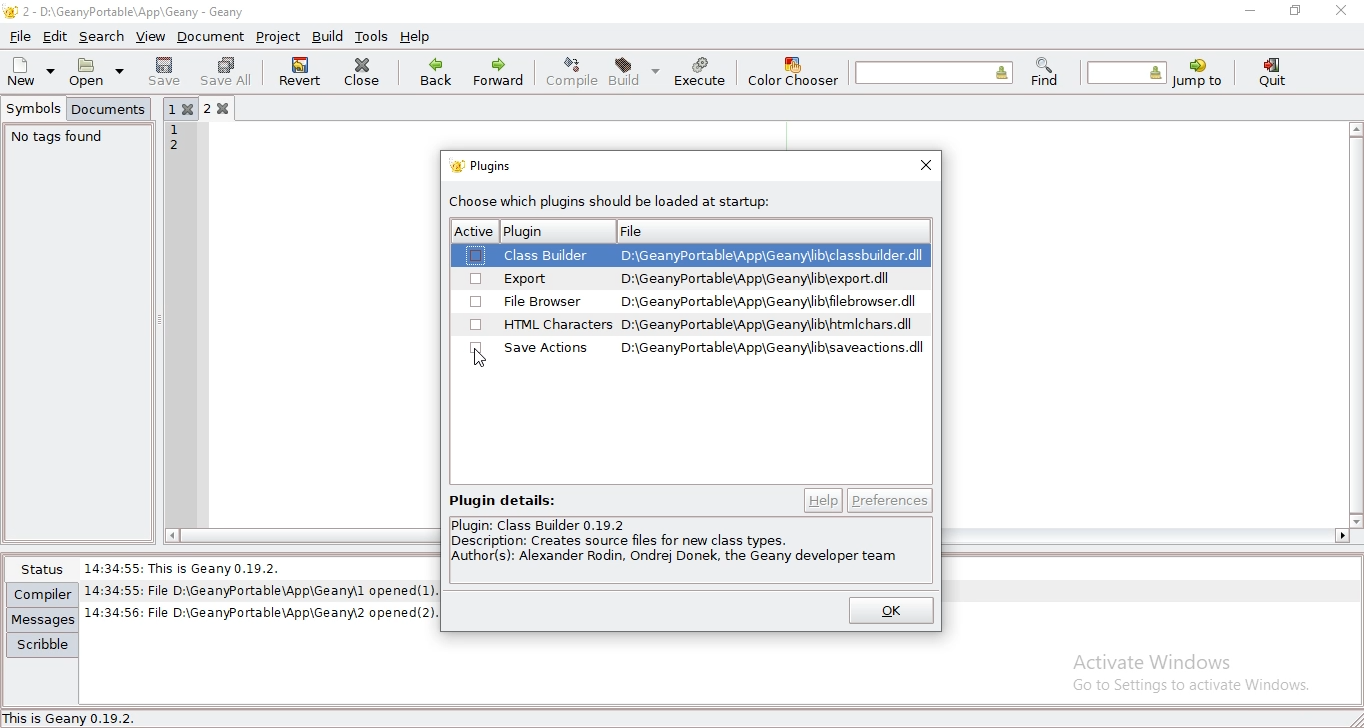  What do you see at coordinates (553, 231) in the screenshot?
I see `active plugin file` at bounding box center [553, 231].